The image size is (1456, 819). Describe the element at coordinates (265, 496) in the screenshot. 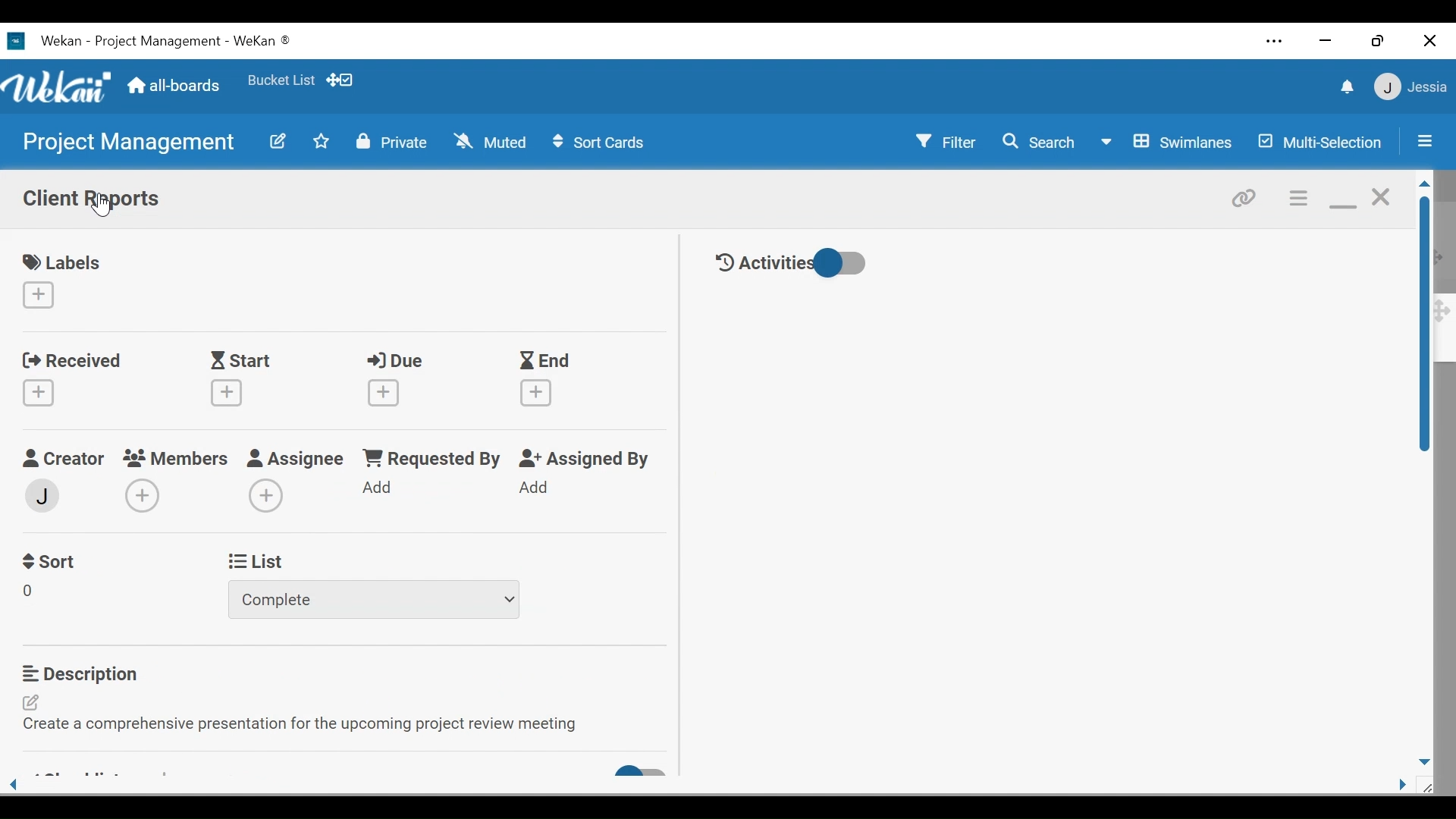

I see `Add Assigness` at that location.